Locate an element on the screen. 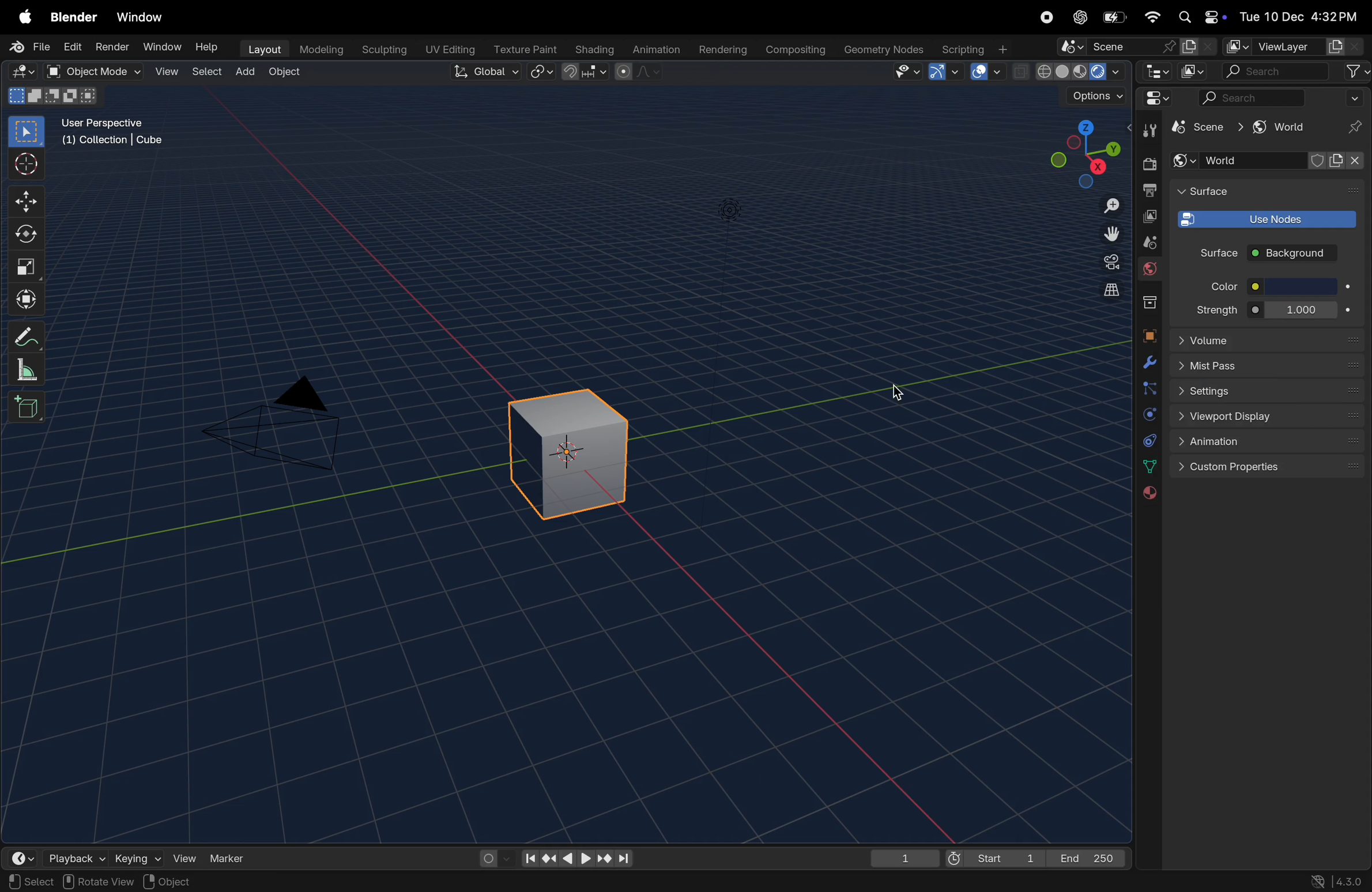 The width and height of the screenshot is (1372, 892). show overlays is located at coordinates (988, 71).